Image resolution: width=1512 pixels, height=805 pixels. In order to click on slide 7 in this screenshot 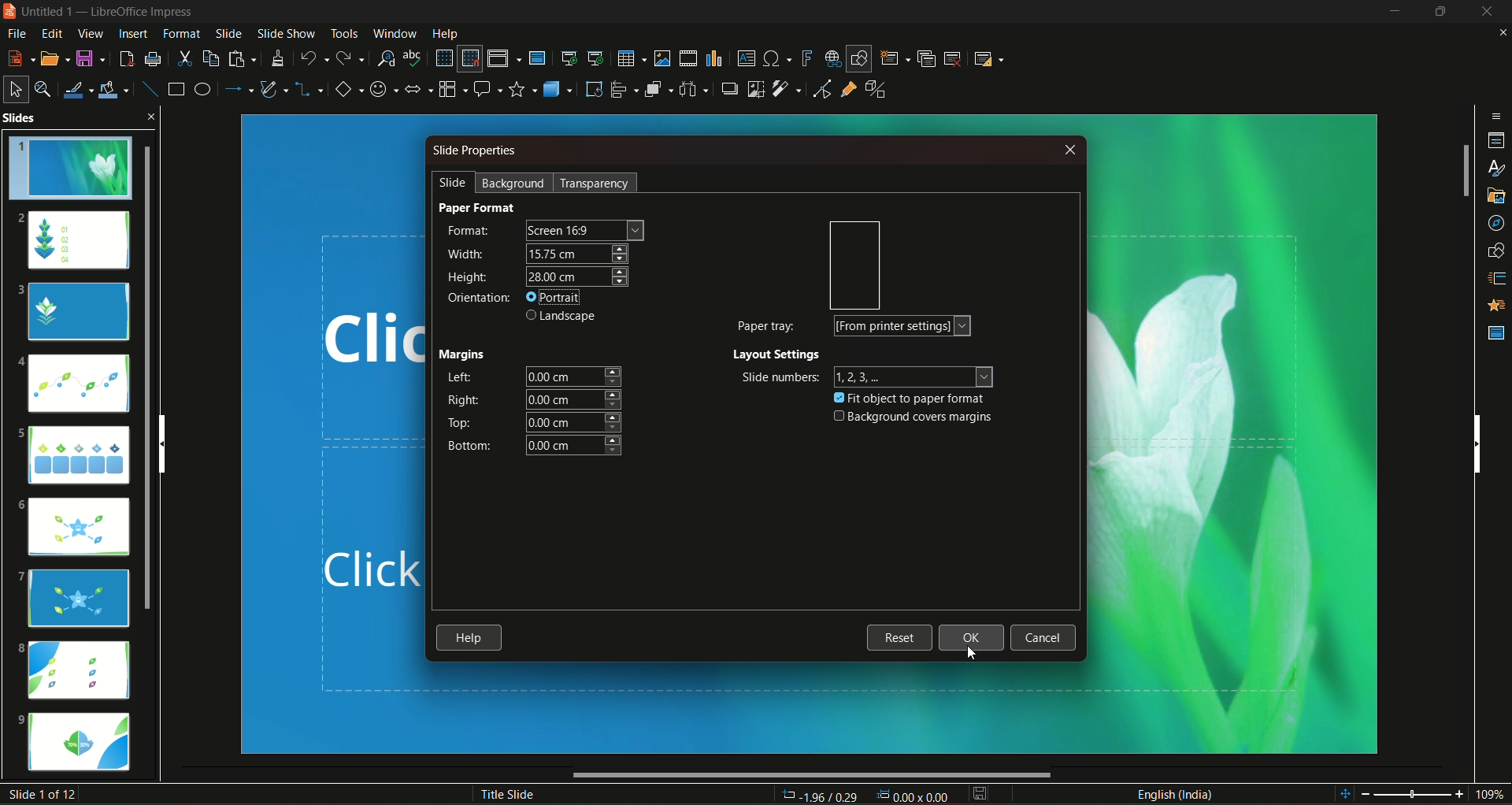, I will do `click(77, 597)`.